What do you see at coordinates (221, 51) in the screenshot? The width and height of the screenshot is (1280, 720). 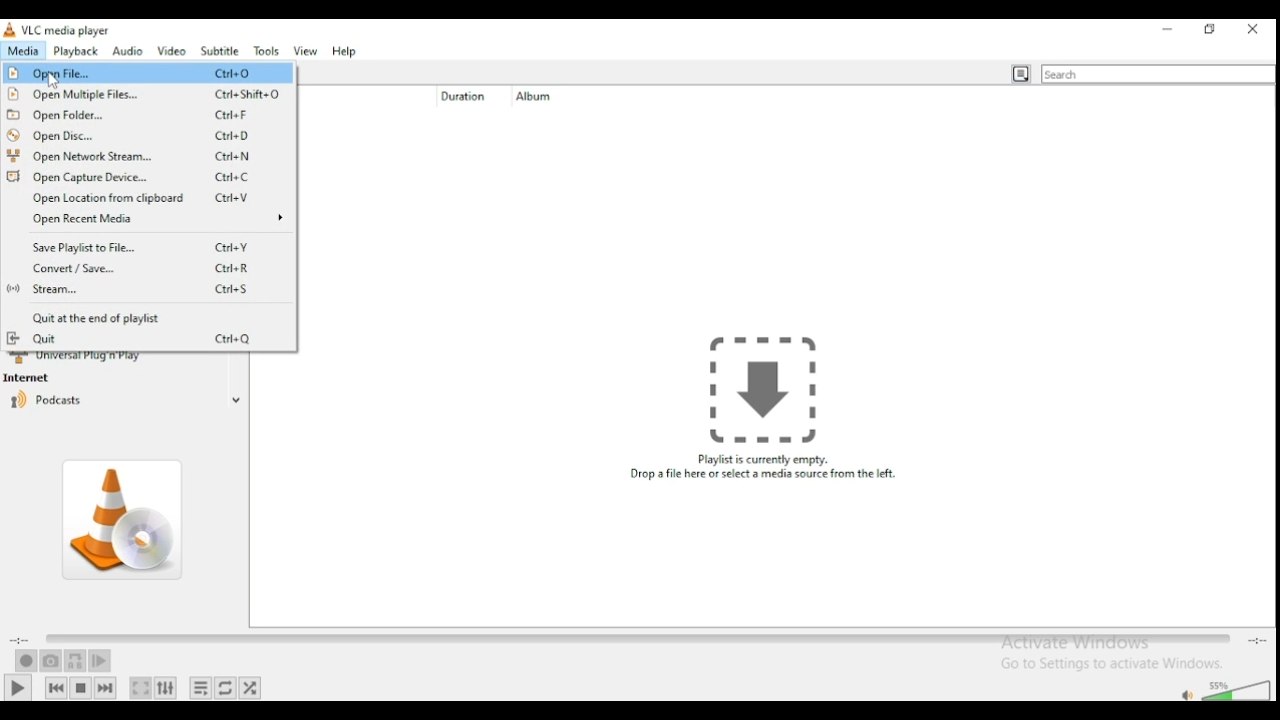 I see `subtitle` at bounding box center [221, 51].